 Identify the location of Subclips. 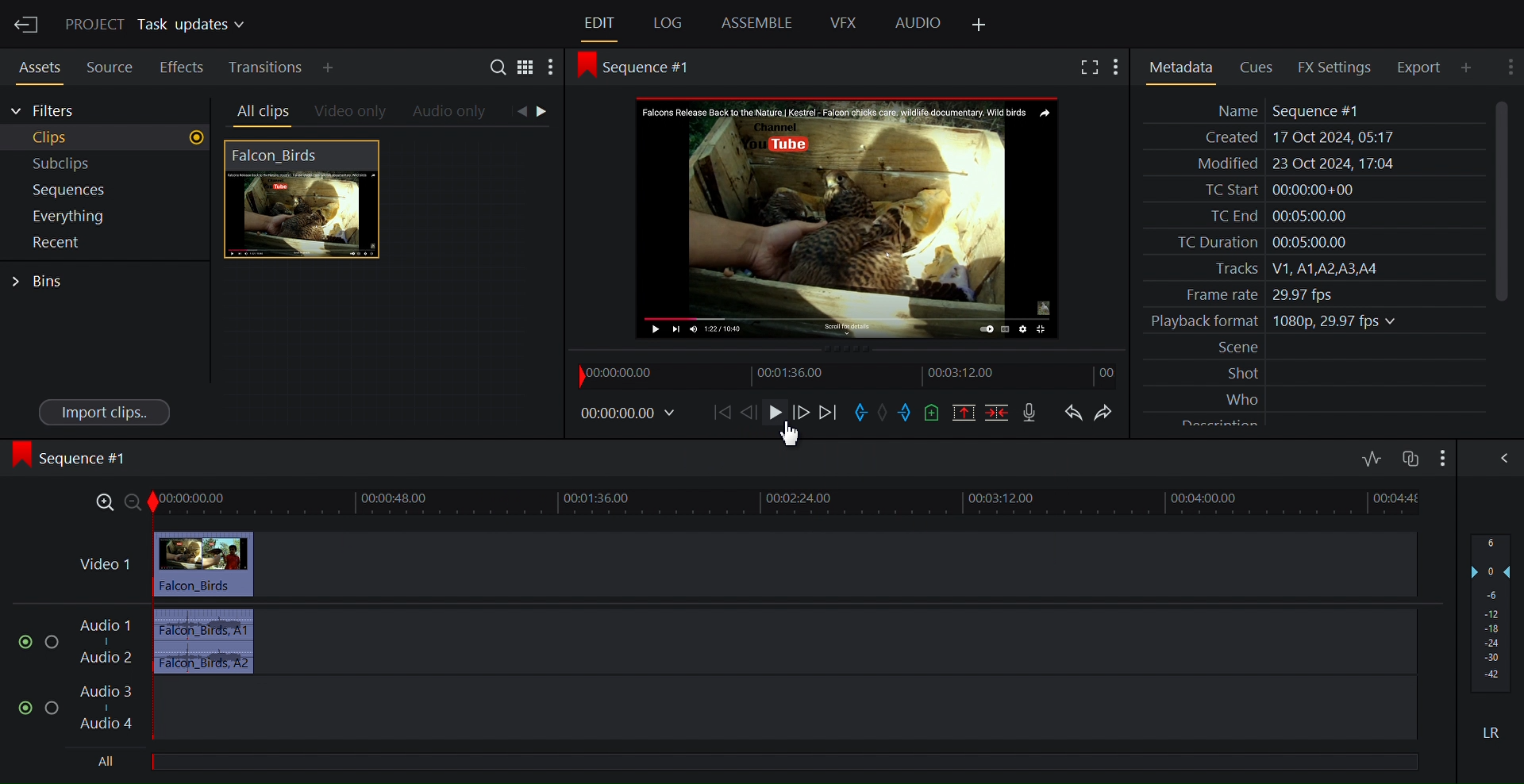
(106, 164).